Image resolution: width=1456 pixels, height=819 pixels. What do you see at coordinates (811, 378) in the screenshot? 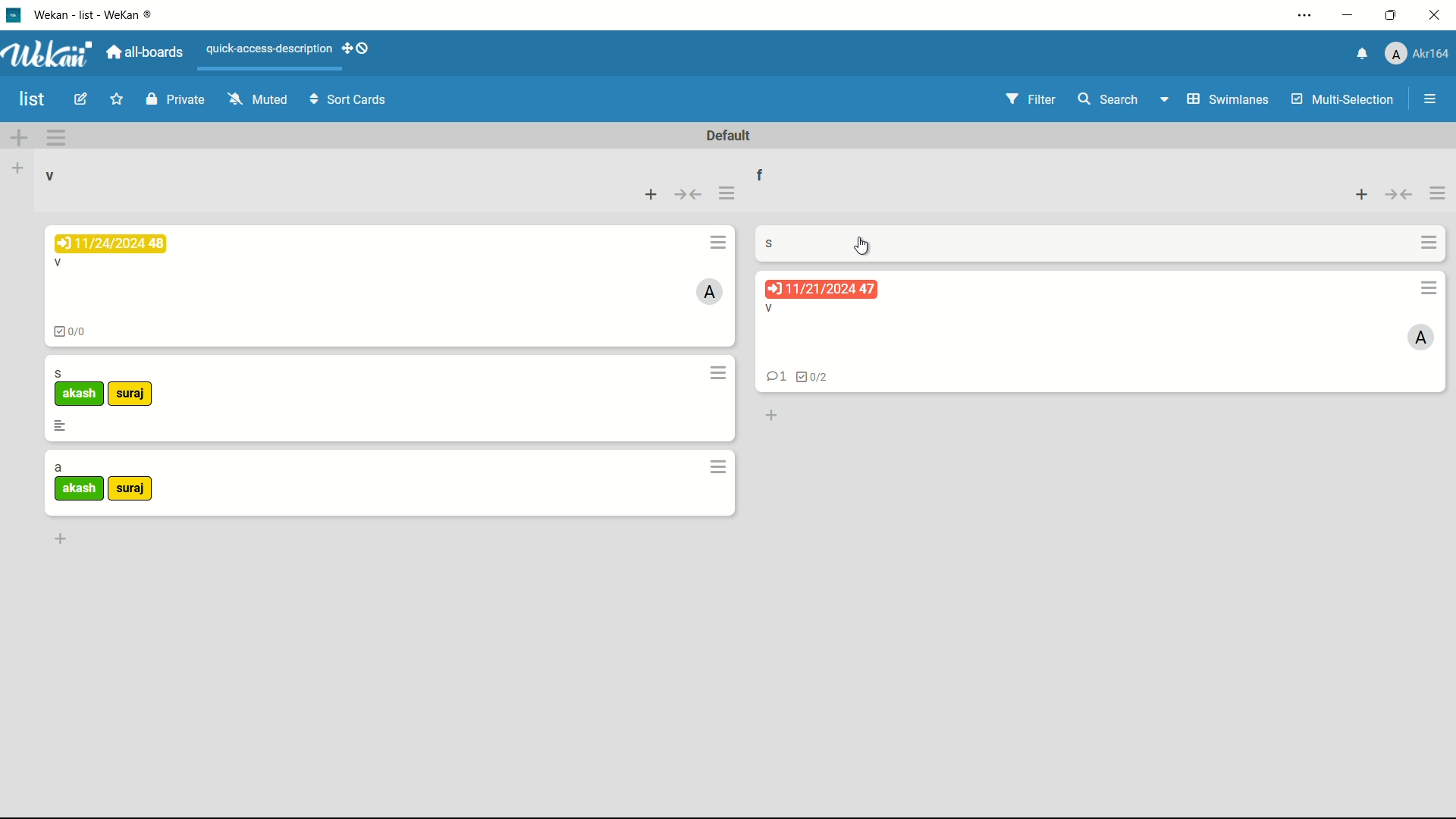
I see `checklist` at bounding box center [811, 378].